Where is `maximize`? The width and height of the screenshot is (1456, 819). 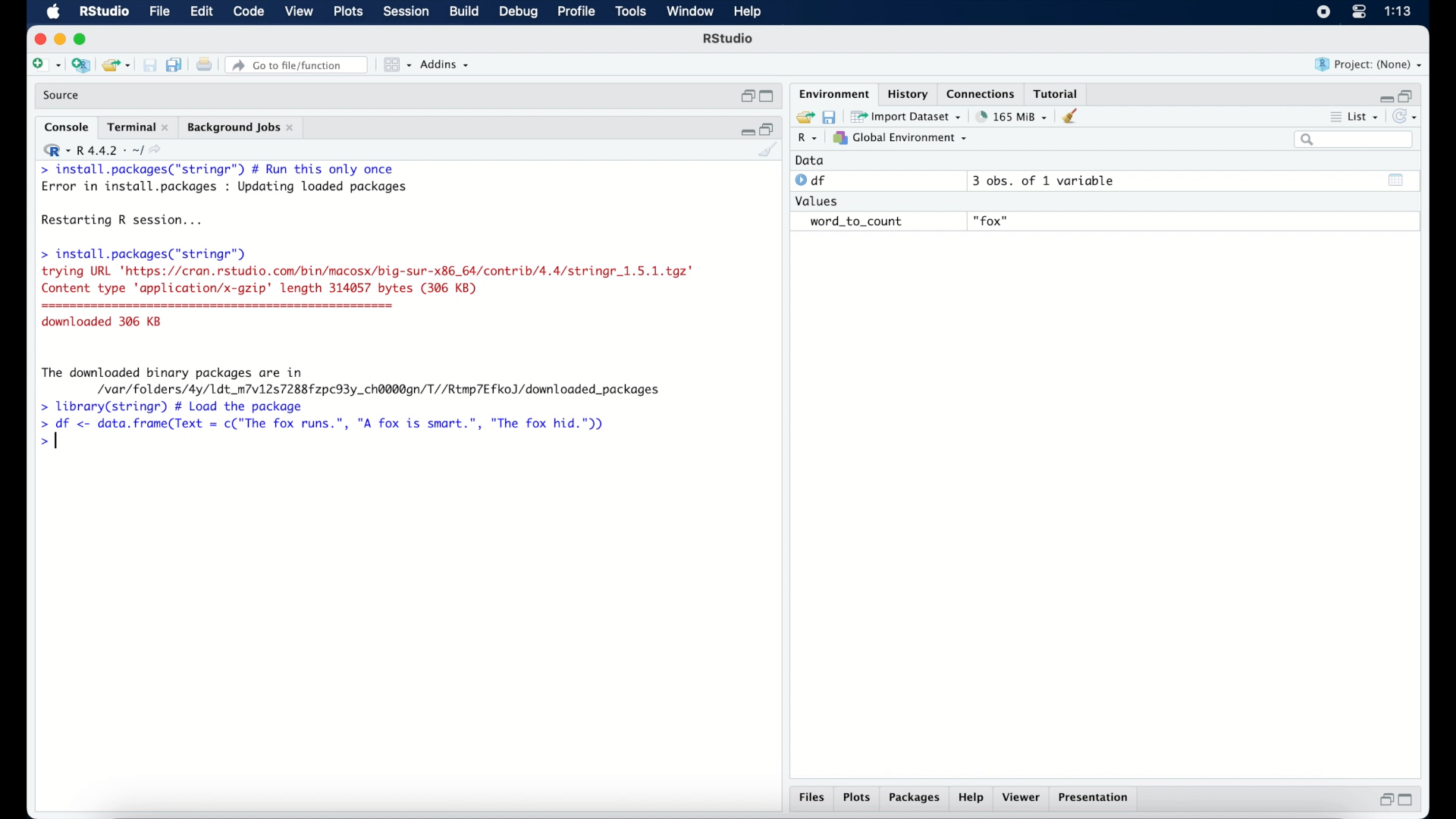
maximize is located at coordinates (83, 39).